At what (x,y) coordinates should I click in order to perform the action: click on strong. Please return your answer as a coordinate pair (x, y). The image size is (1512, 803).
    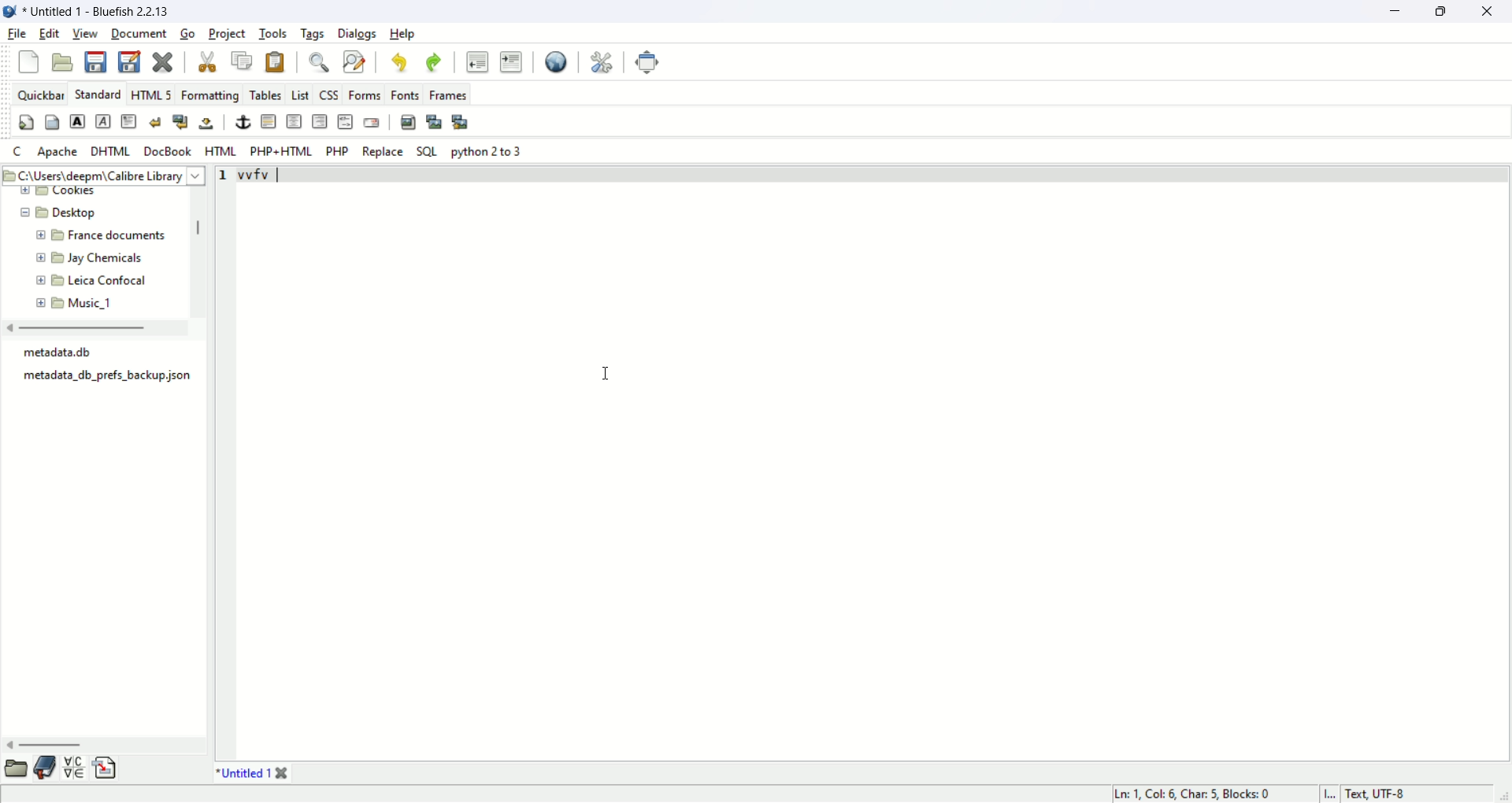
    Looking at the image, I should click on (78, 122).